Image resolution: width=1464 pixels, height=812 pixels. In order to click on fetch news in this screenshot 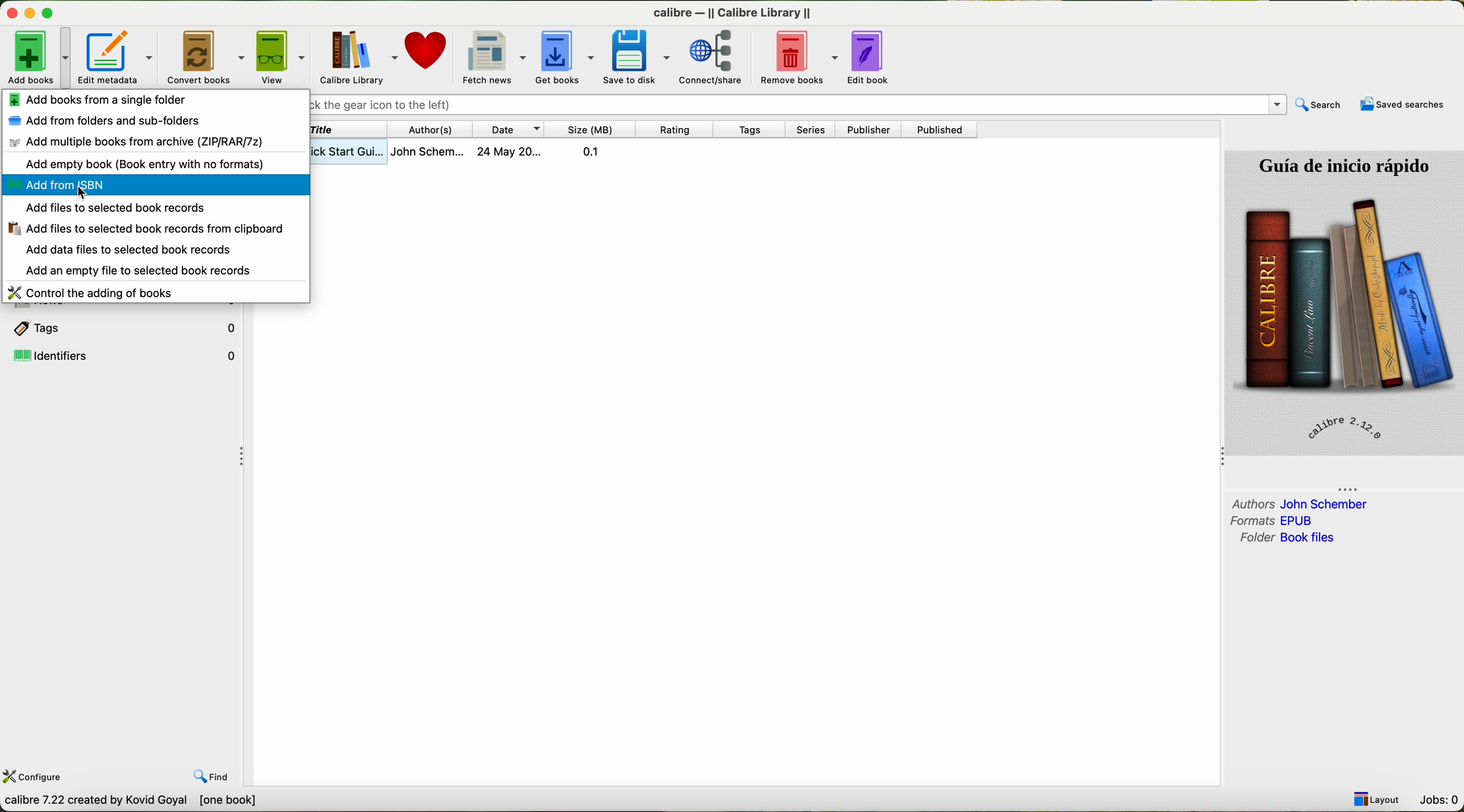, I will do `click(494, 56)`.